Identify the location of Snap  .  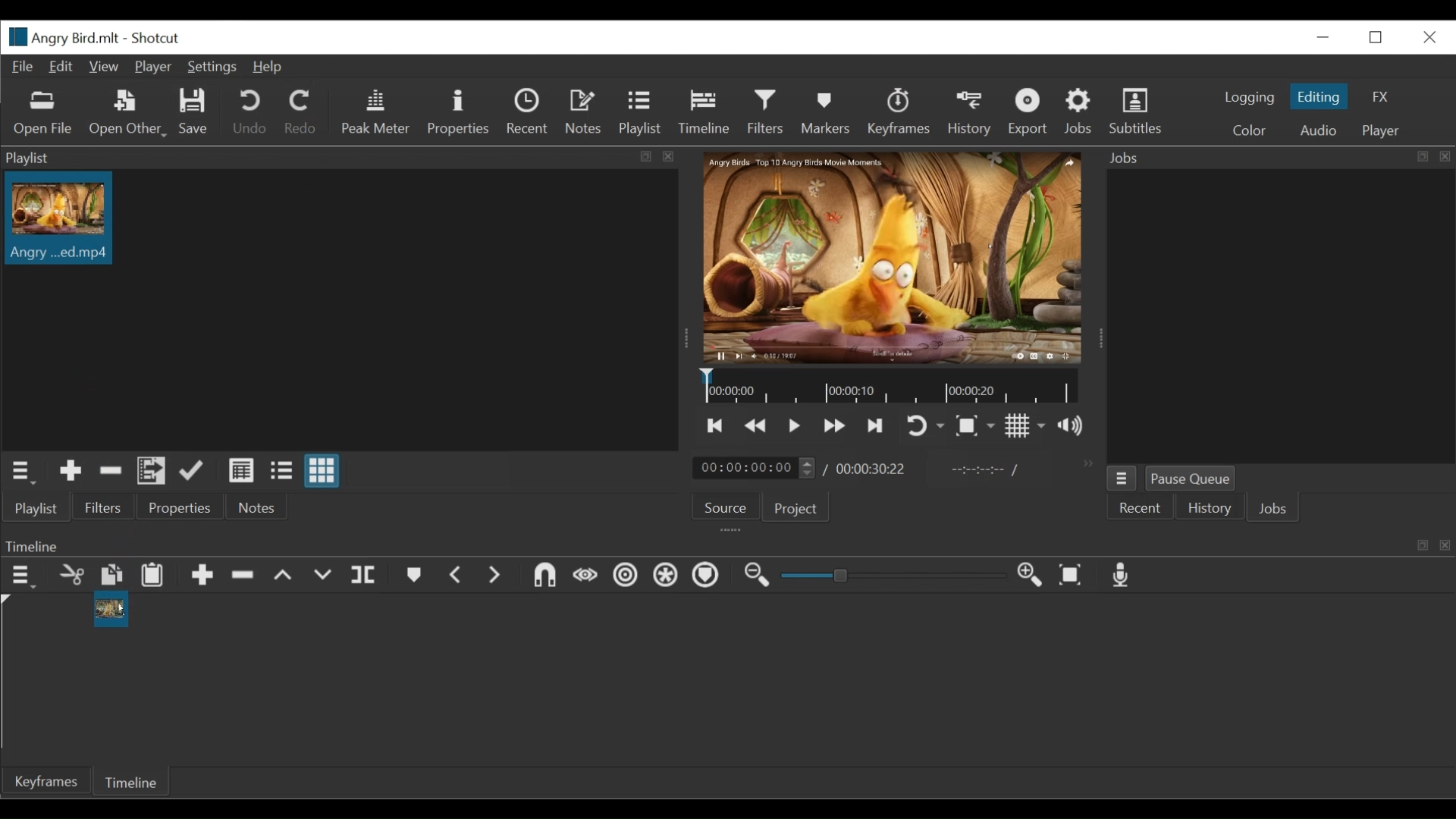
(544, 577).